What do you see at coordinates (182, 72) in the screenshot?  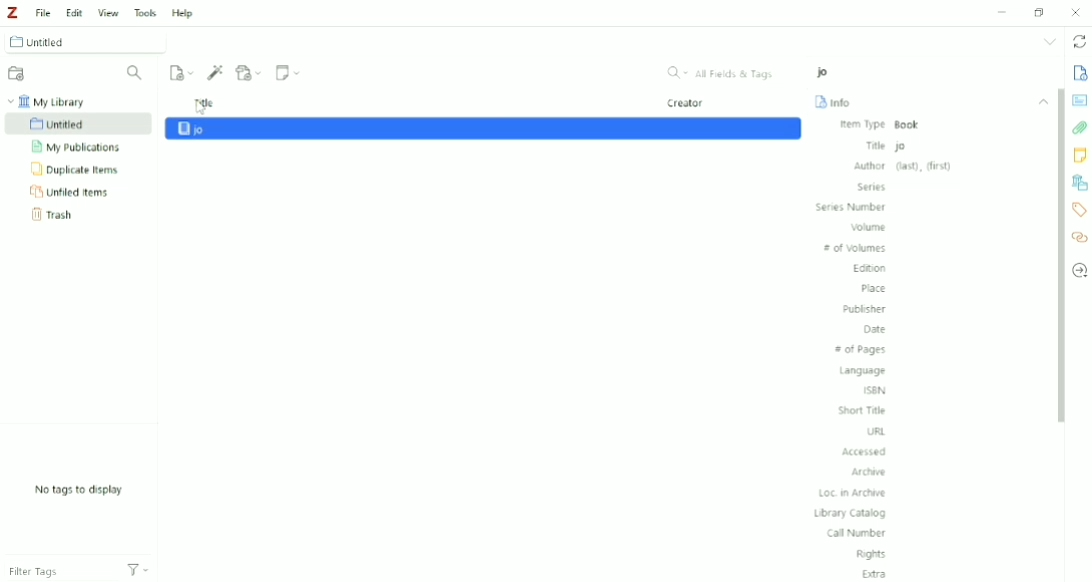 I see `New Item` at bounding box center [182, 72].